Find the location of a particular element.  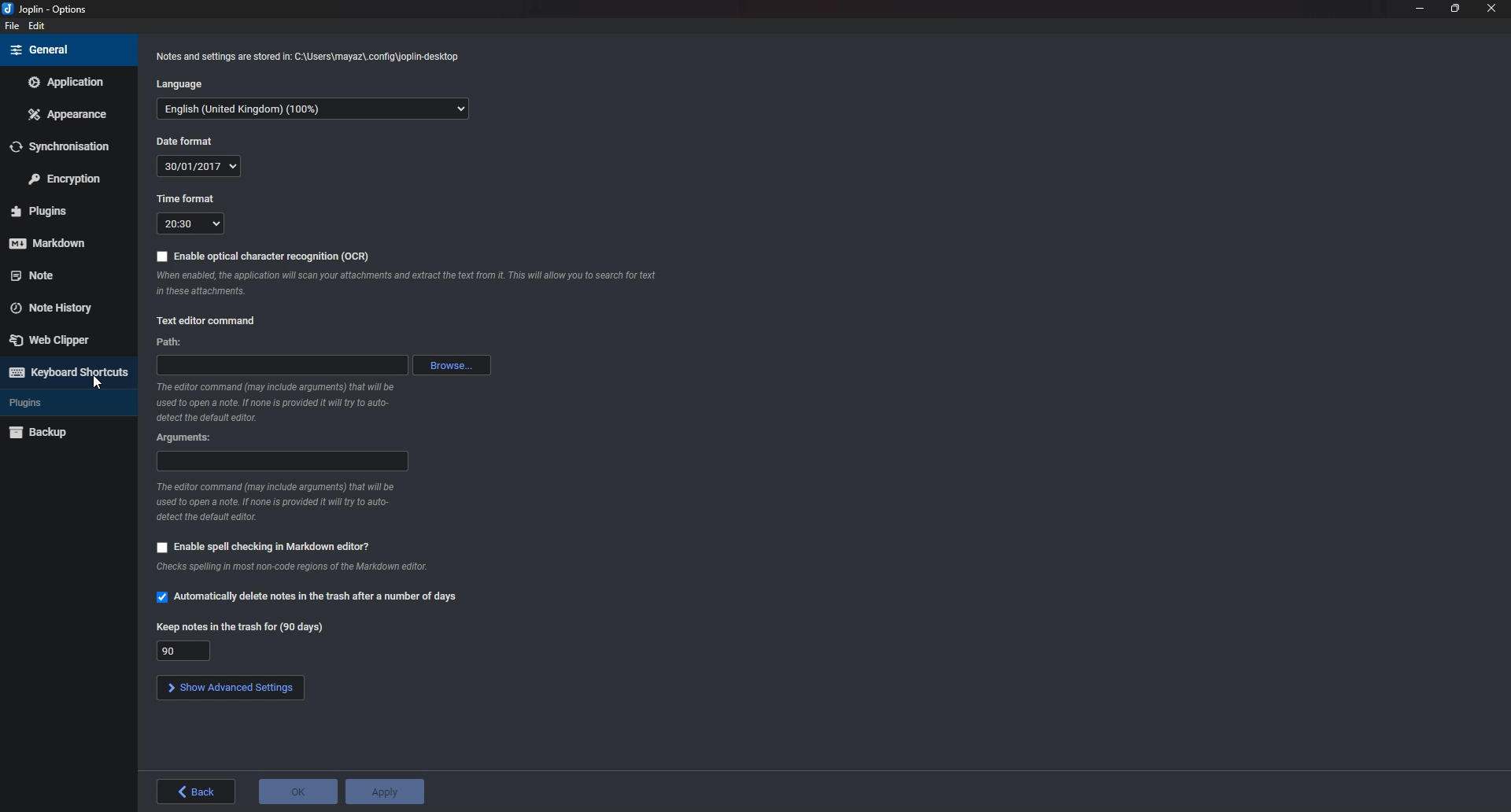

Note history is located at coordinates (60, 303).